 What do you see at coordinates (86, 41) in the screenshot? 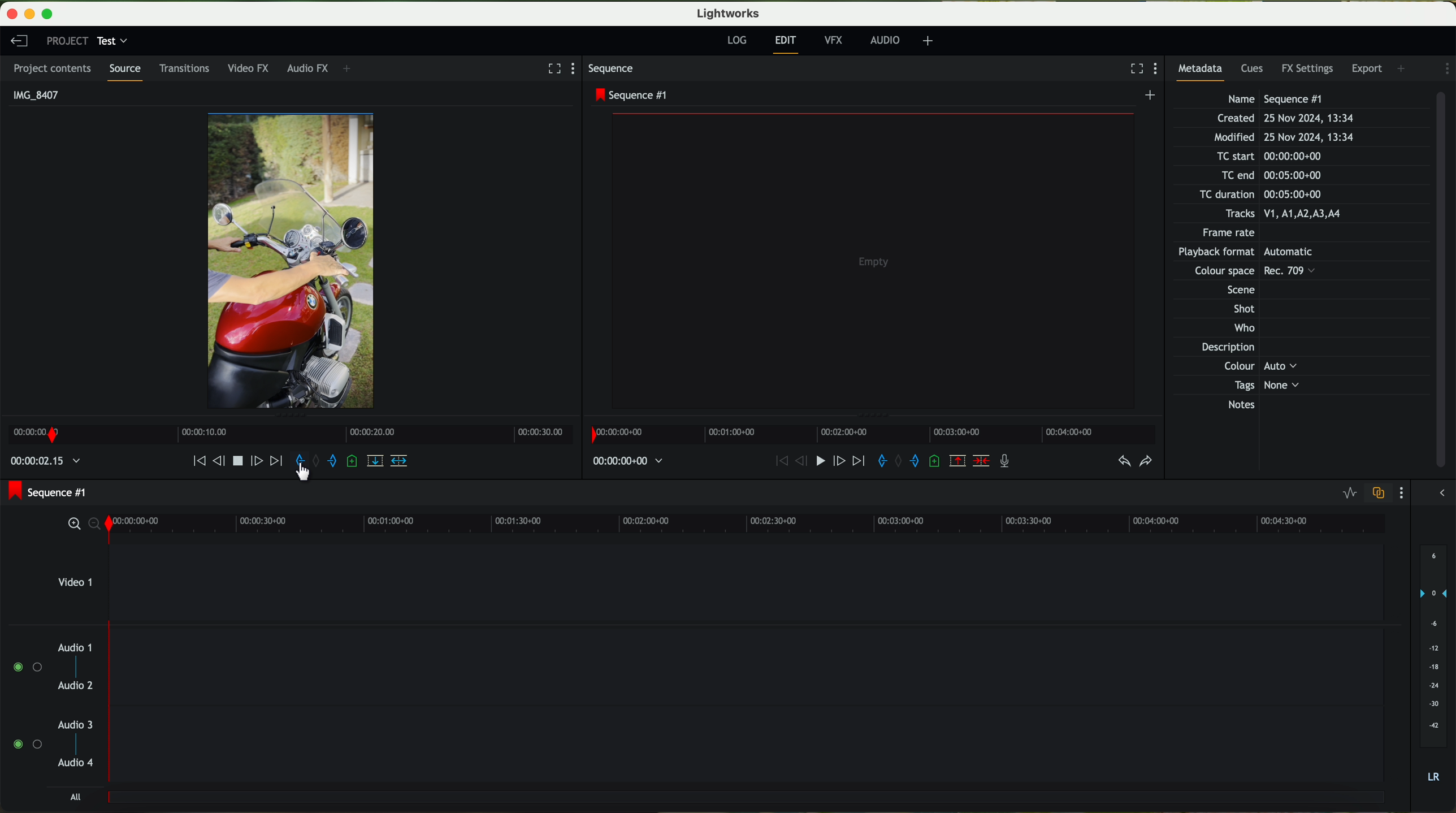
I see `project: test` at bounding box center [86, 41].